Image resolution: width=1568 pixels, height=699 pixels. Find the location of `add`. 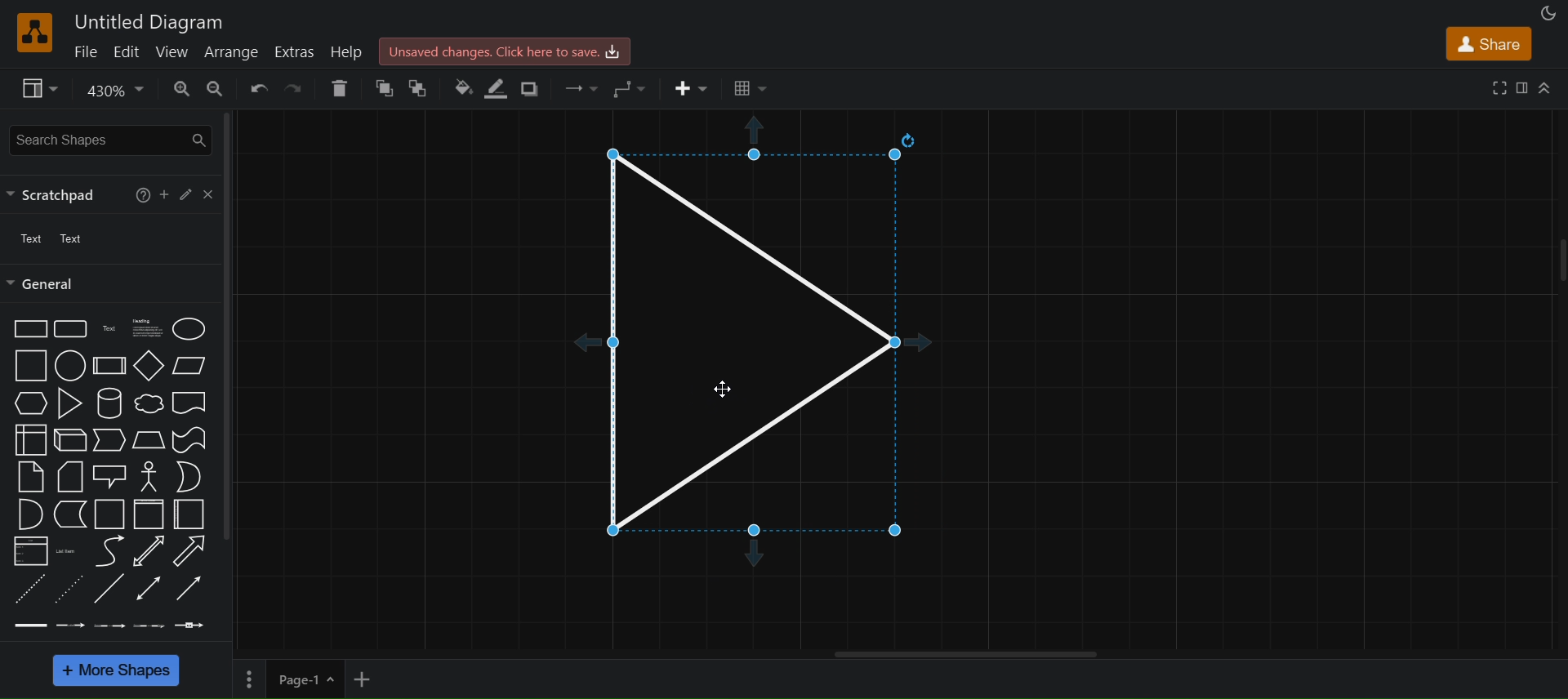

add is located at coordinates (165, 192).